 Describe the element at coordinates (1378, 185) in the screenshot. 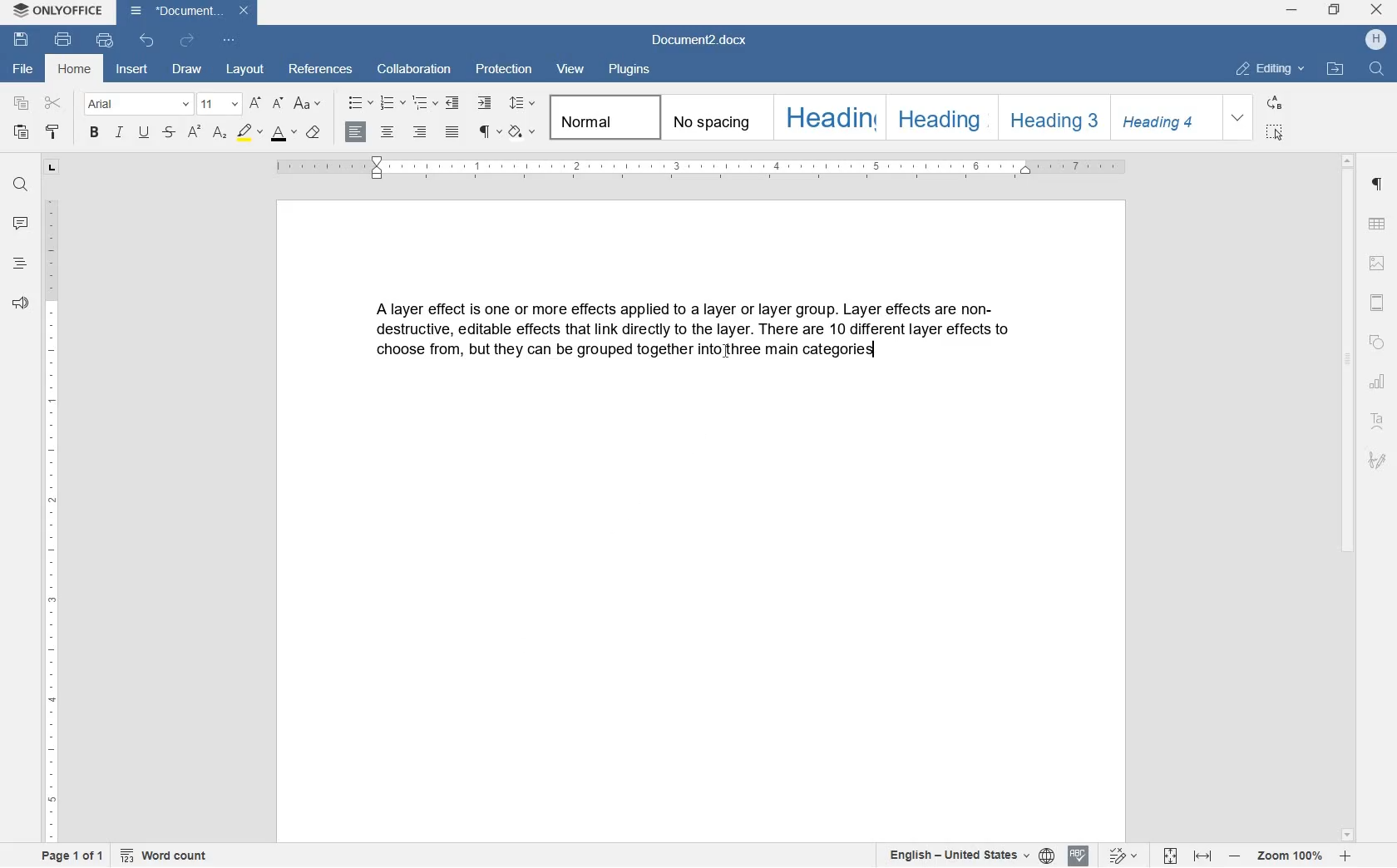

I see `paragraph setting` at that location.